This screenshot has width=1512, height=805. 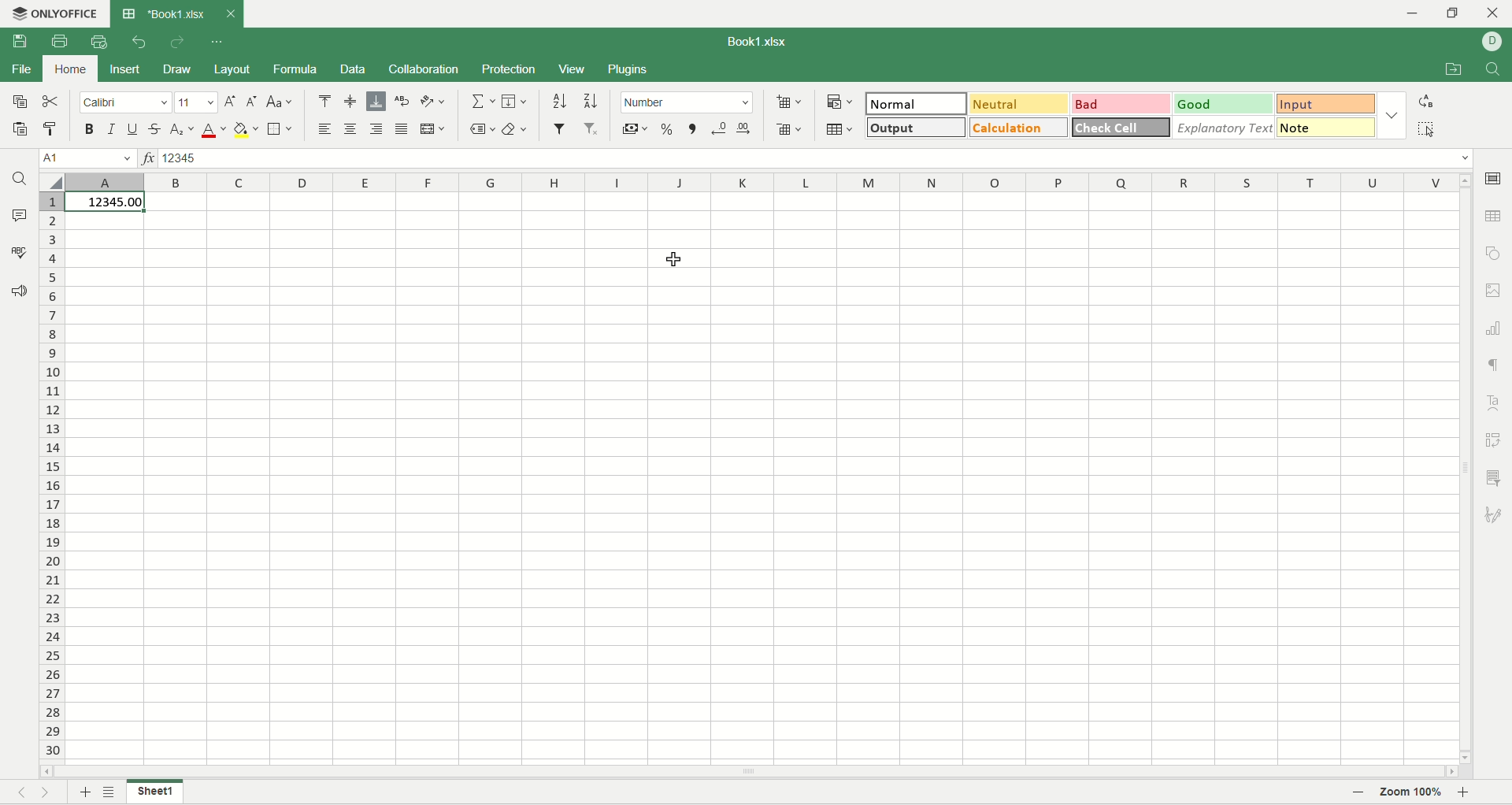 What do you see at coordinates (1496, 365) in the screenshot?
I see `paragraph settings` at bounding box center [1496, 365].